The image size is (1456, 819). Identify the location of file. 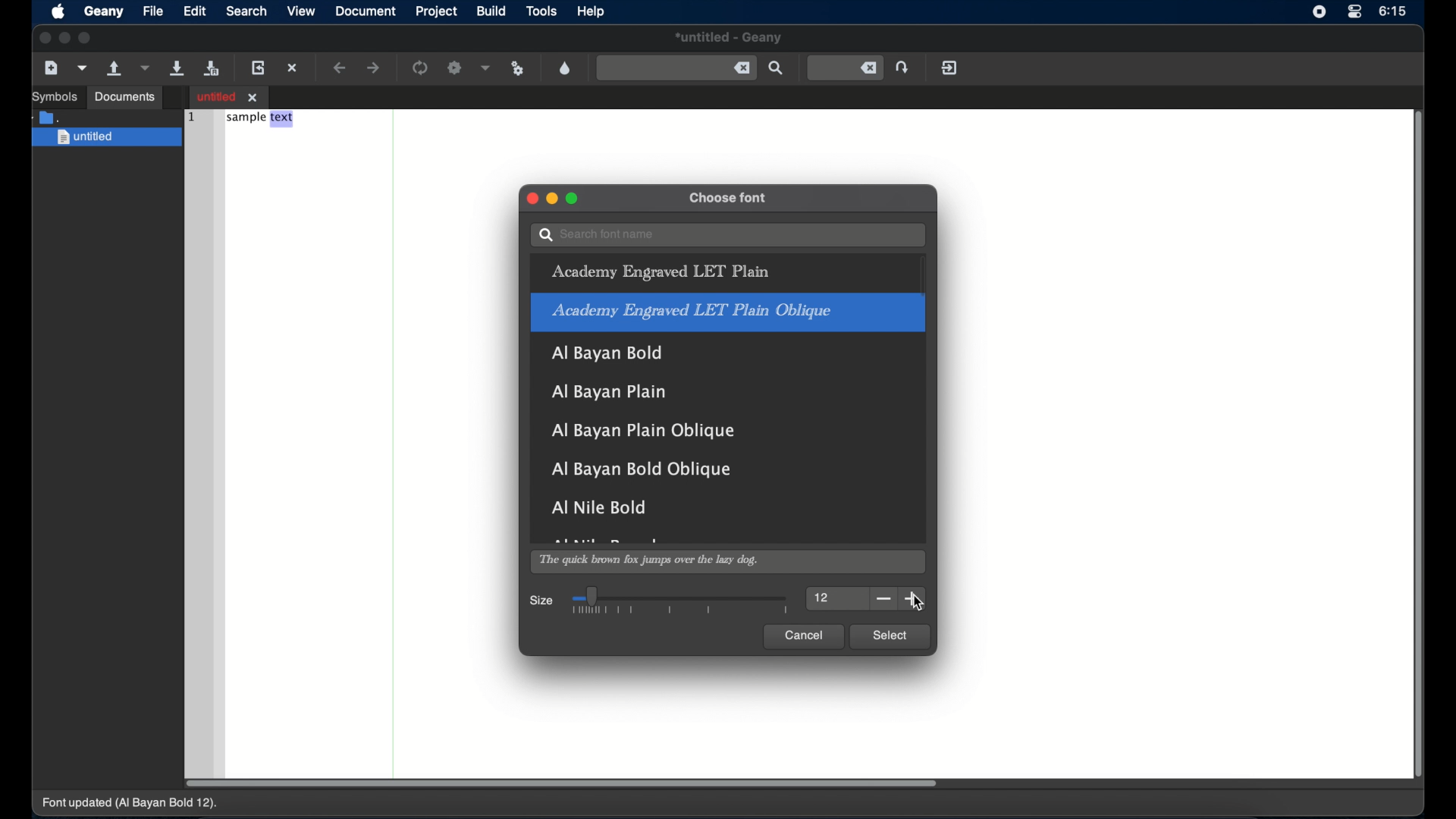
(153, 11).